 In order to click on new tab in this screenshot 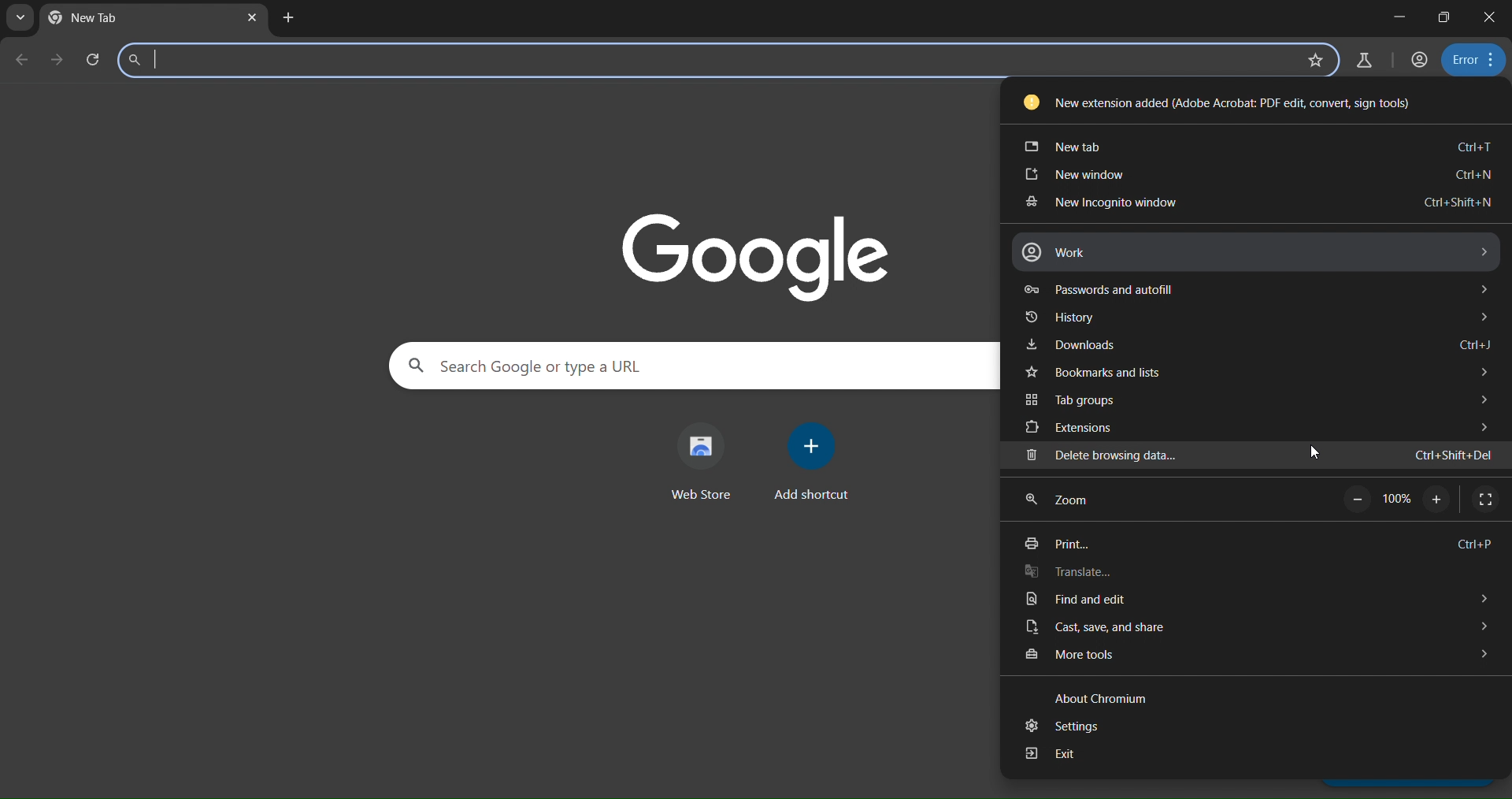, I will do `click(290, 19)`.